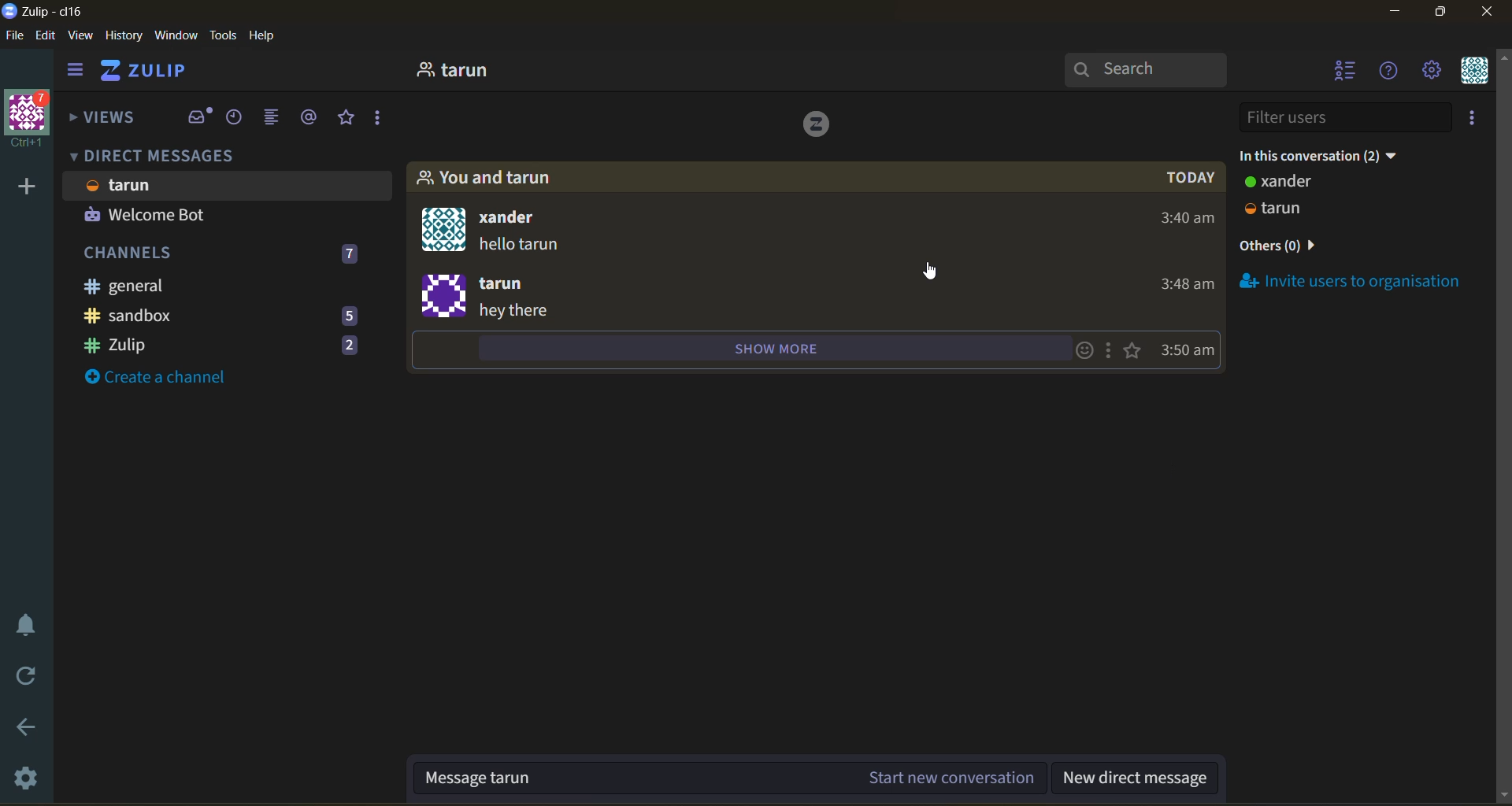 The width and height of the screenshot is (1512, 806). I want to click on user name, so click(522, 219).